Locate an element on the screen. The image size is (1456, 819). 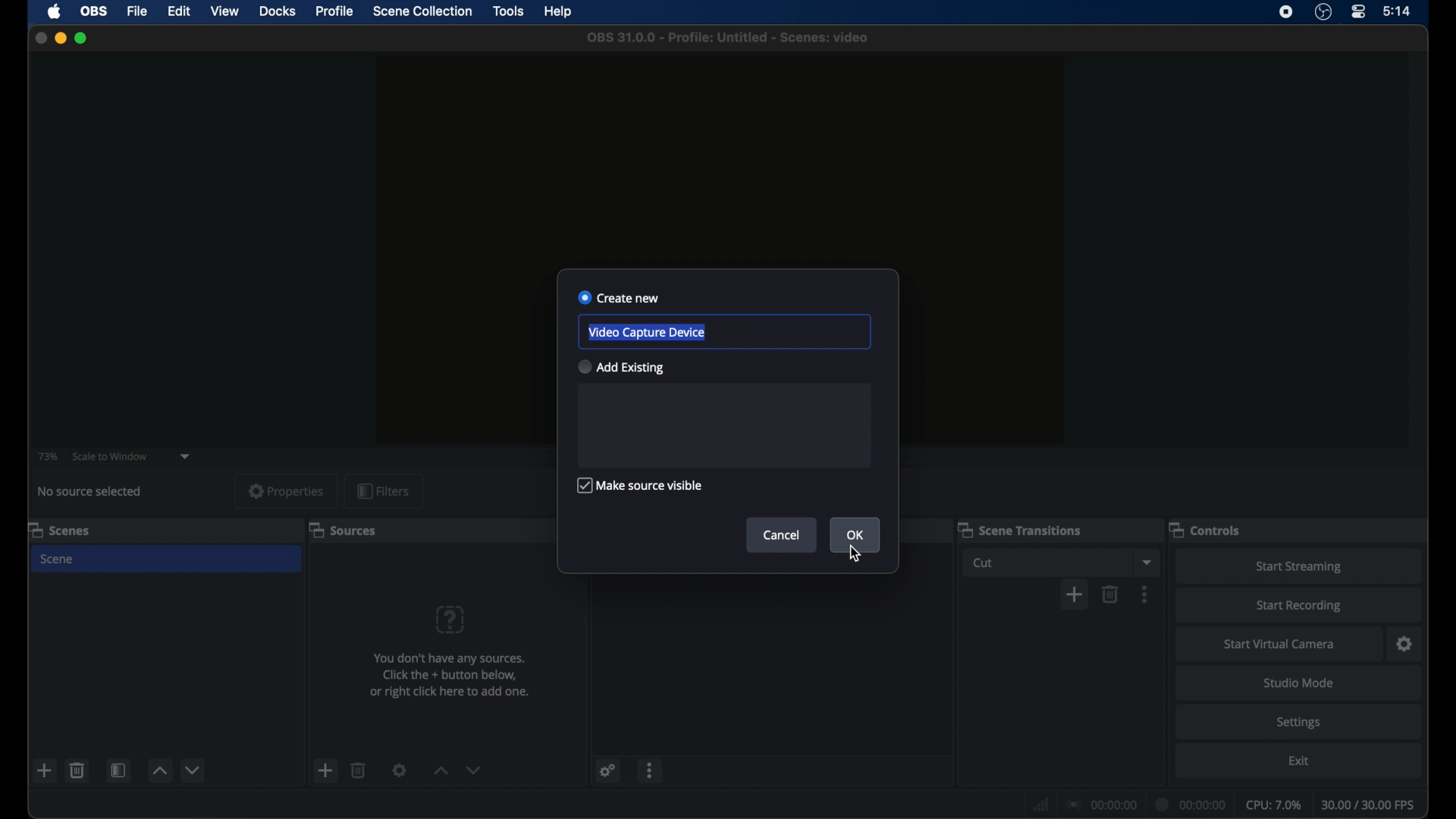
view is located at coordinates (224, 11).